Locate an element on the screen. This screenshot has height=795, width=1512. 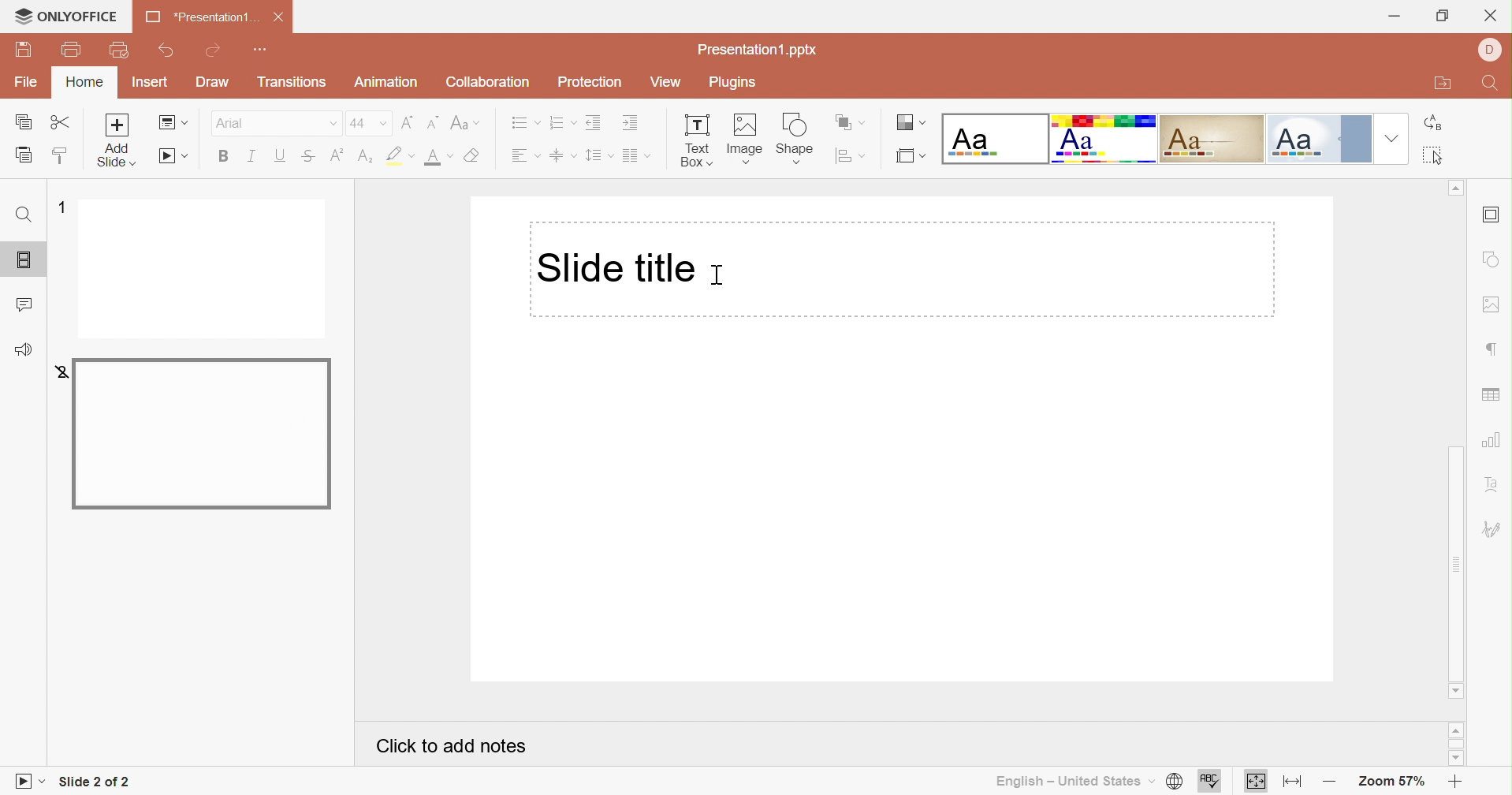
Change case is located at coordinates (466, 122).